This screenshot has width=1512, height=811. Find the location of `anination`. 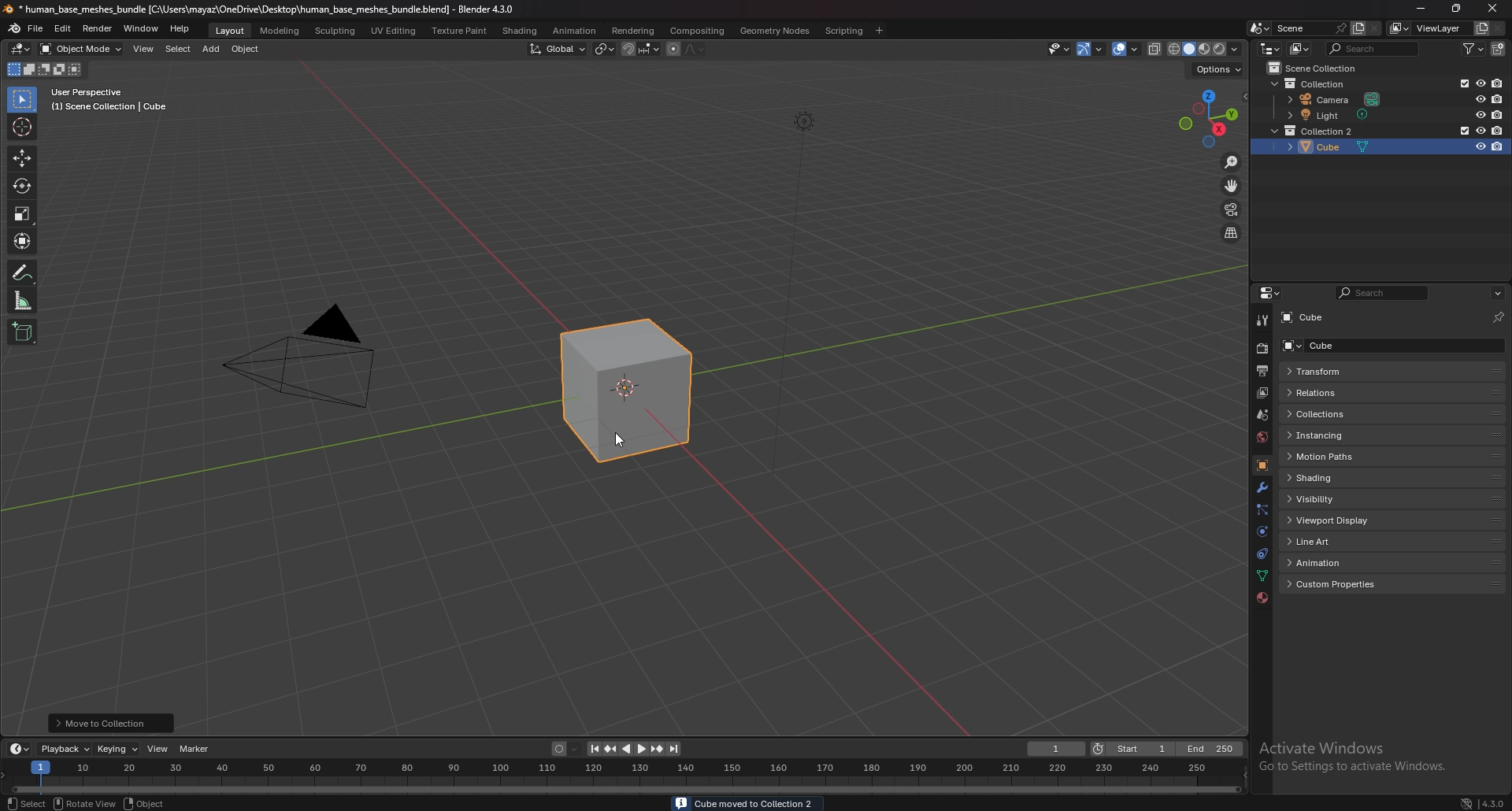

anination is located at coordinates (574, 30).